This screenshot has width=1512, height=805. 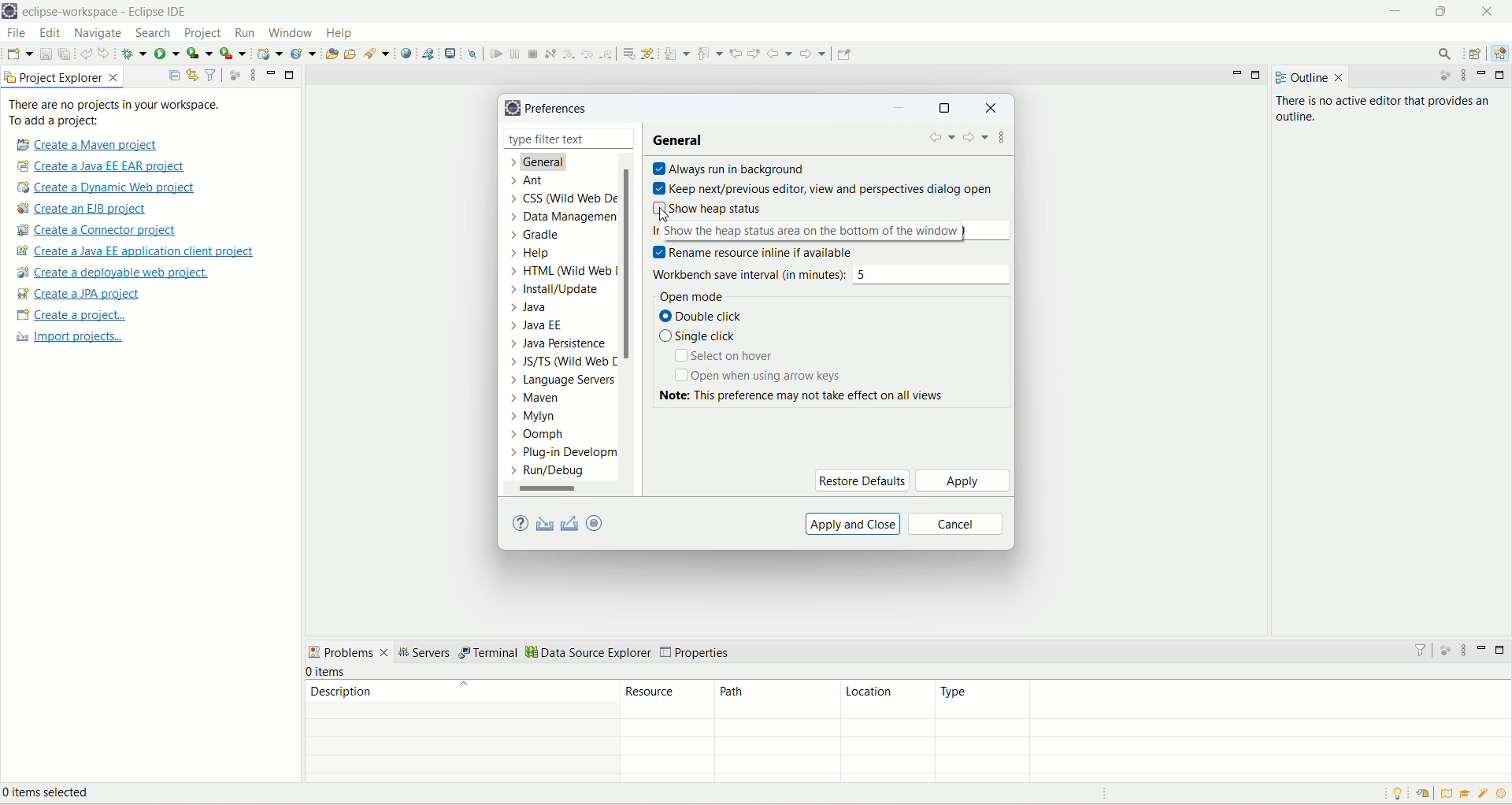 I want to click on mylyn, so click(x=533, y=417).